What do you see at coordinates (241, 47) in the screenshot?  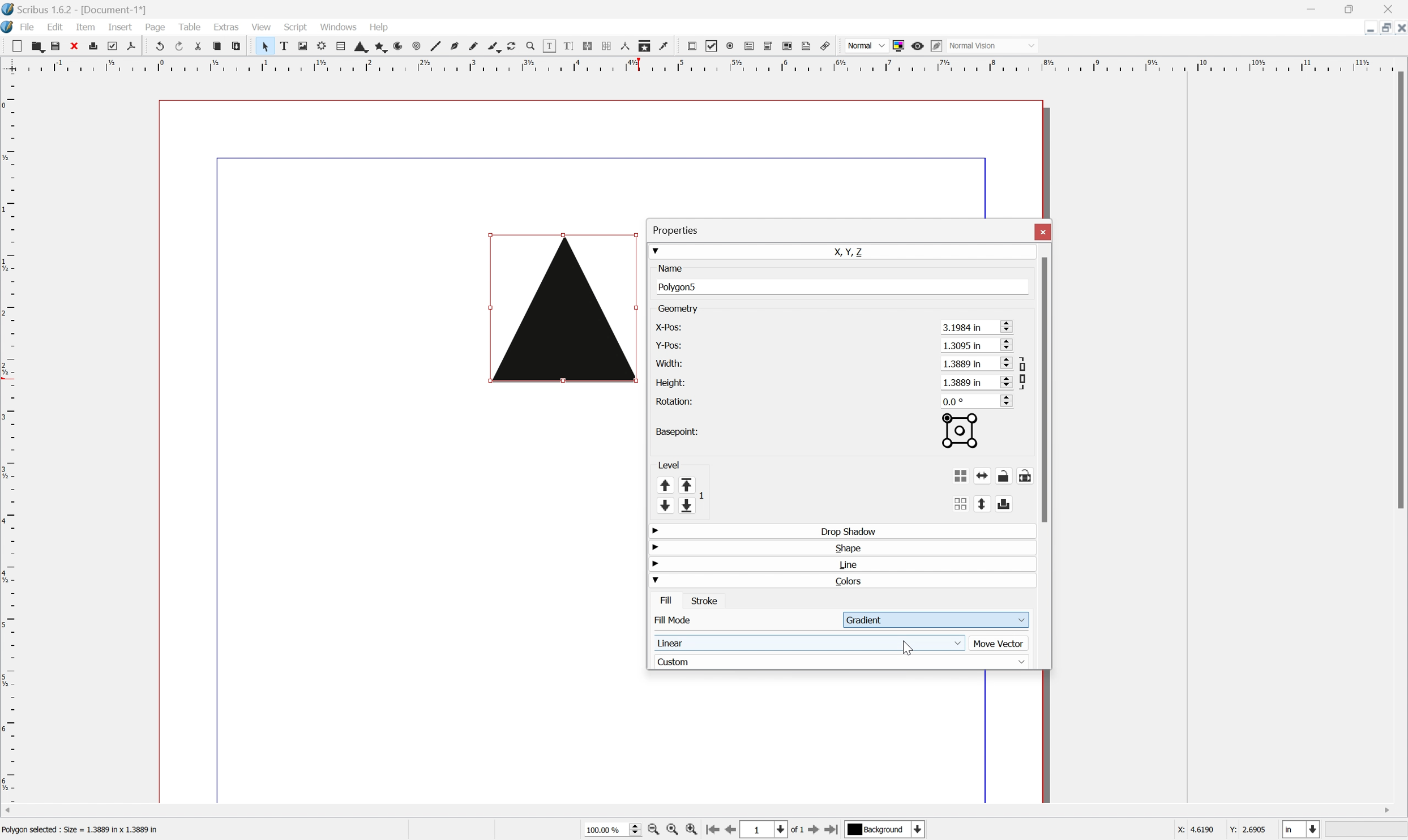 I see `Paste` at bounding box center [241, 47].